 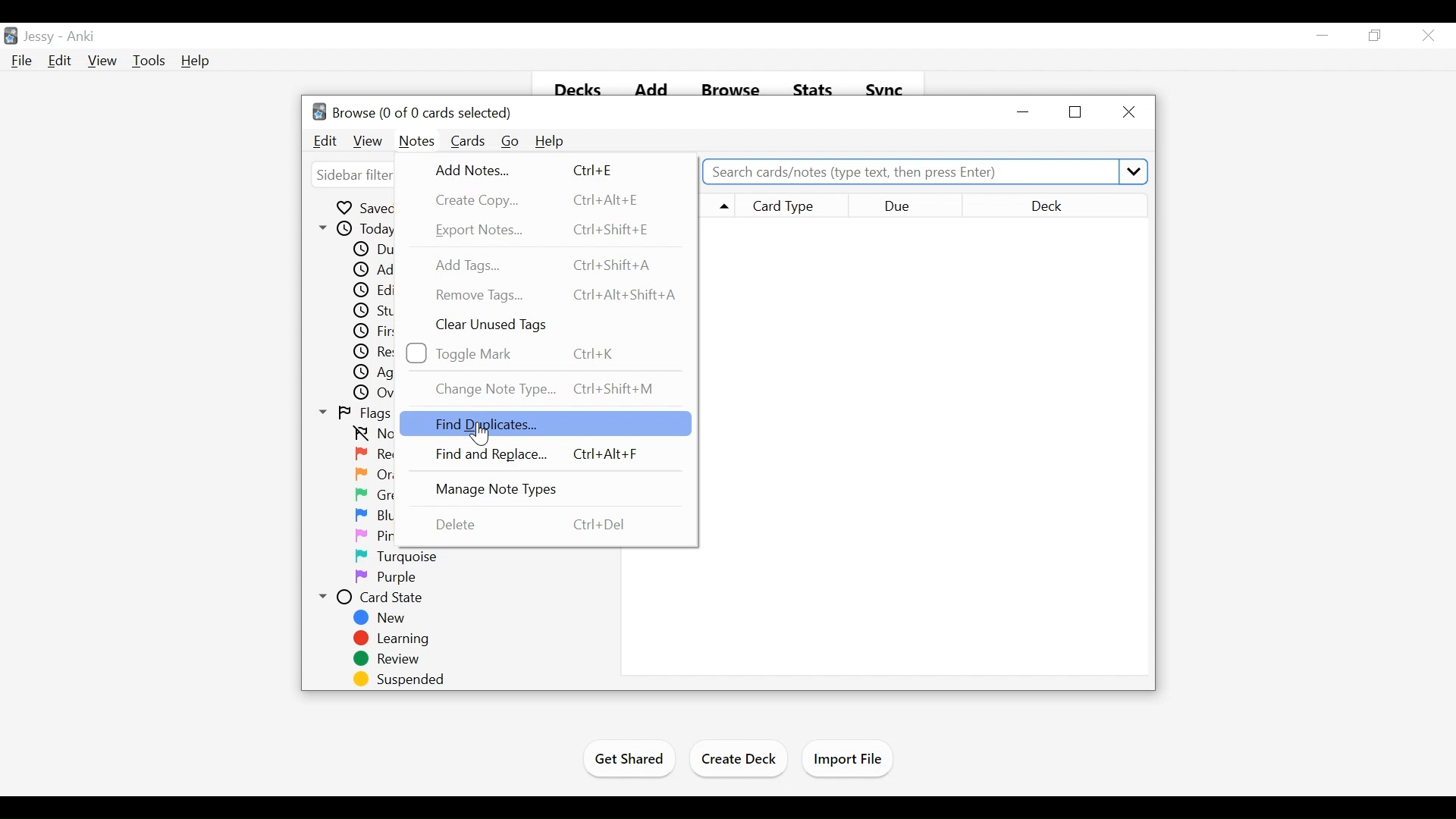 I want to click on View, so click(x=369, y=142).